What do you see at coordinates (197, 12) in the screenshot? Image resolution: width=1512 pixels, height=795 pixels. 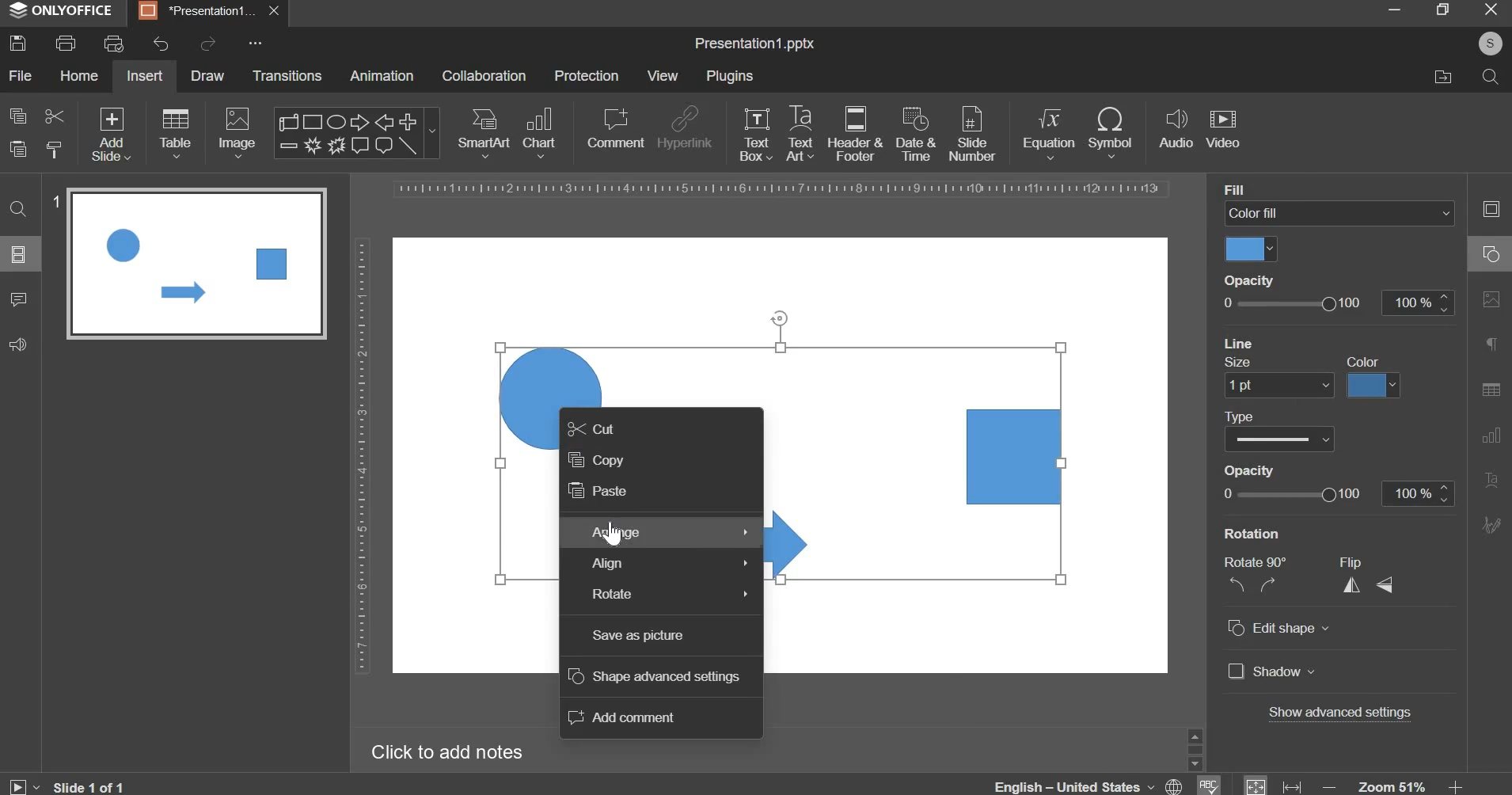 I see `Presentation` at bounding box center [197, 12].